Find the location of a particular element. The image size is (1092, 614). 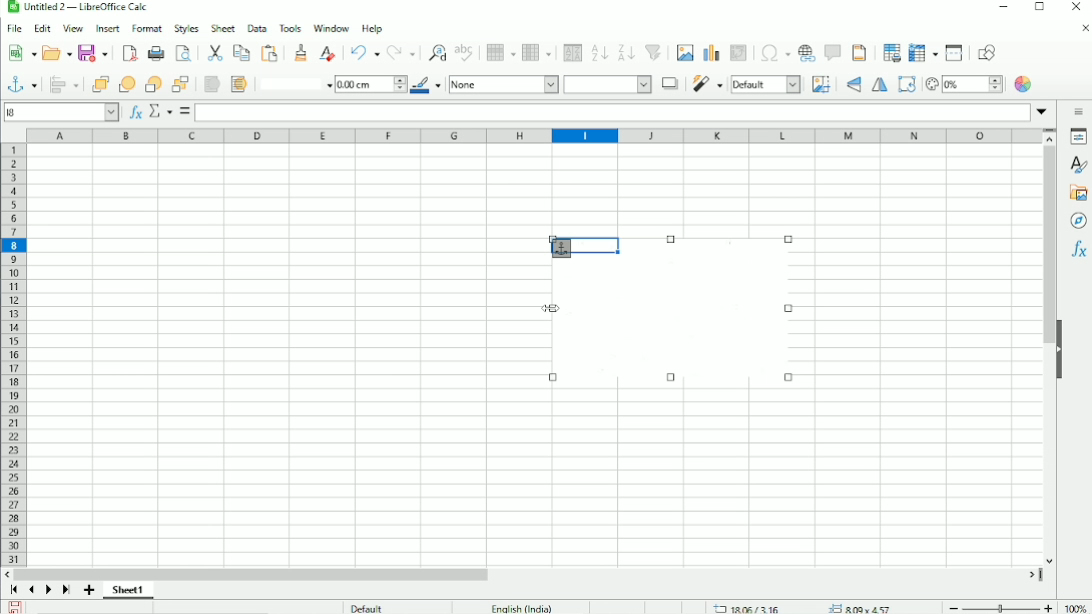

Zoom factor is located at coordinates (1073, 606).